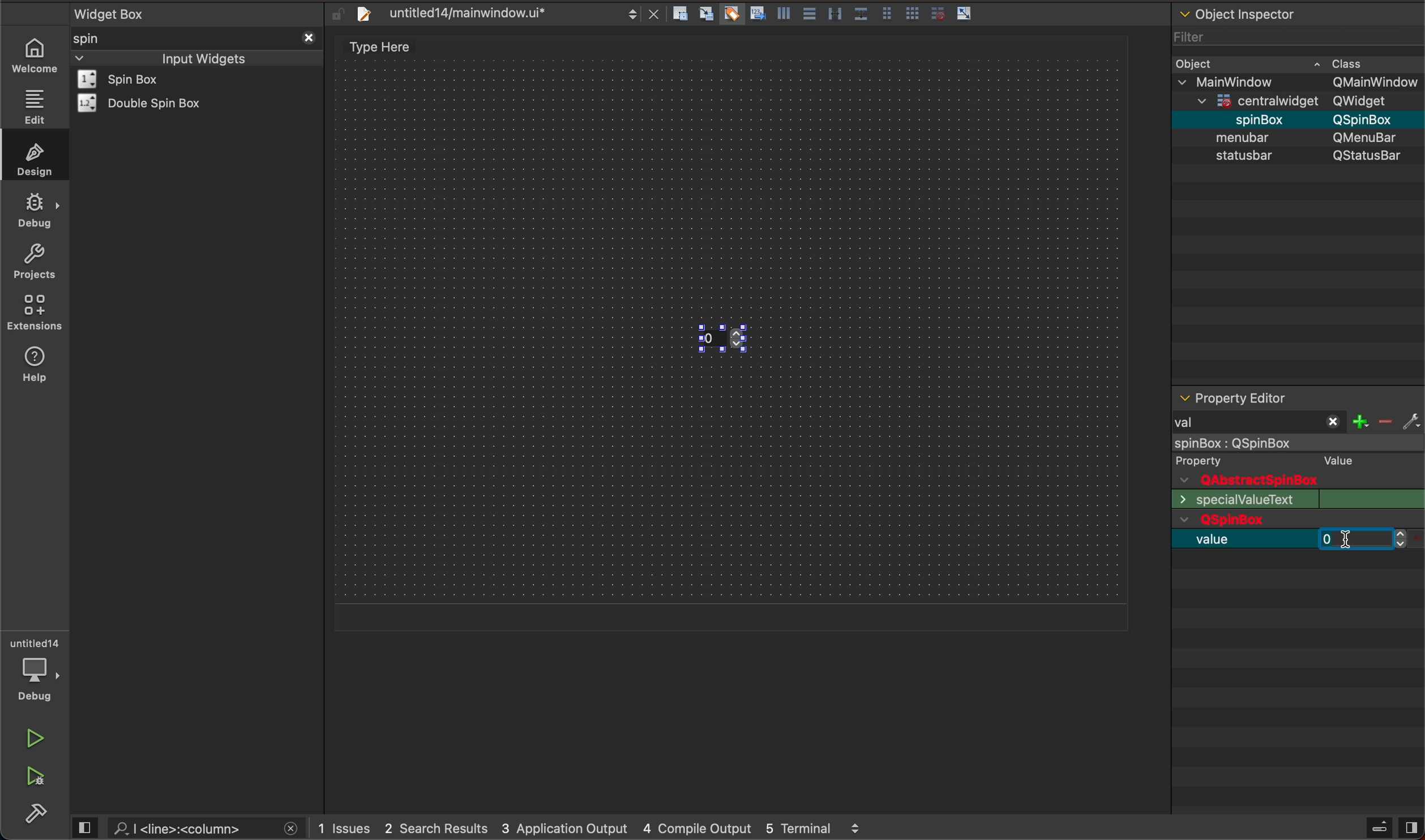 The image size is (1425, 840). Describe the element at coordinates (203, 57) in the screenshot. I see `inout` at that location.